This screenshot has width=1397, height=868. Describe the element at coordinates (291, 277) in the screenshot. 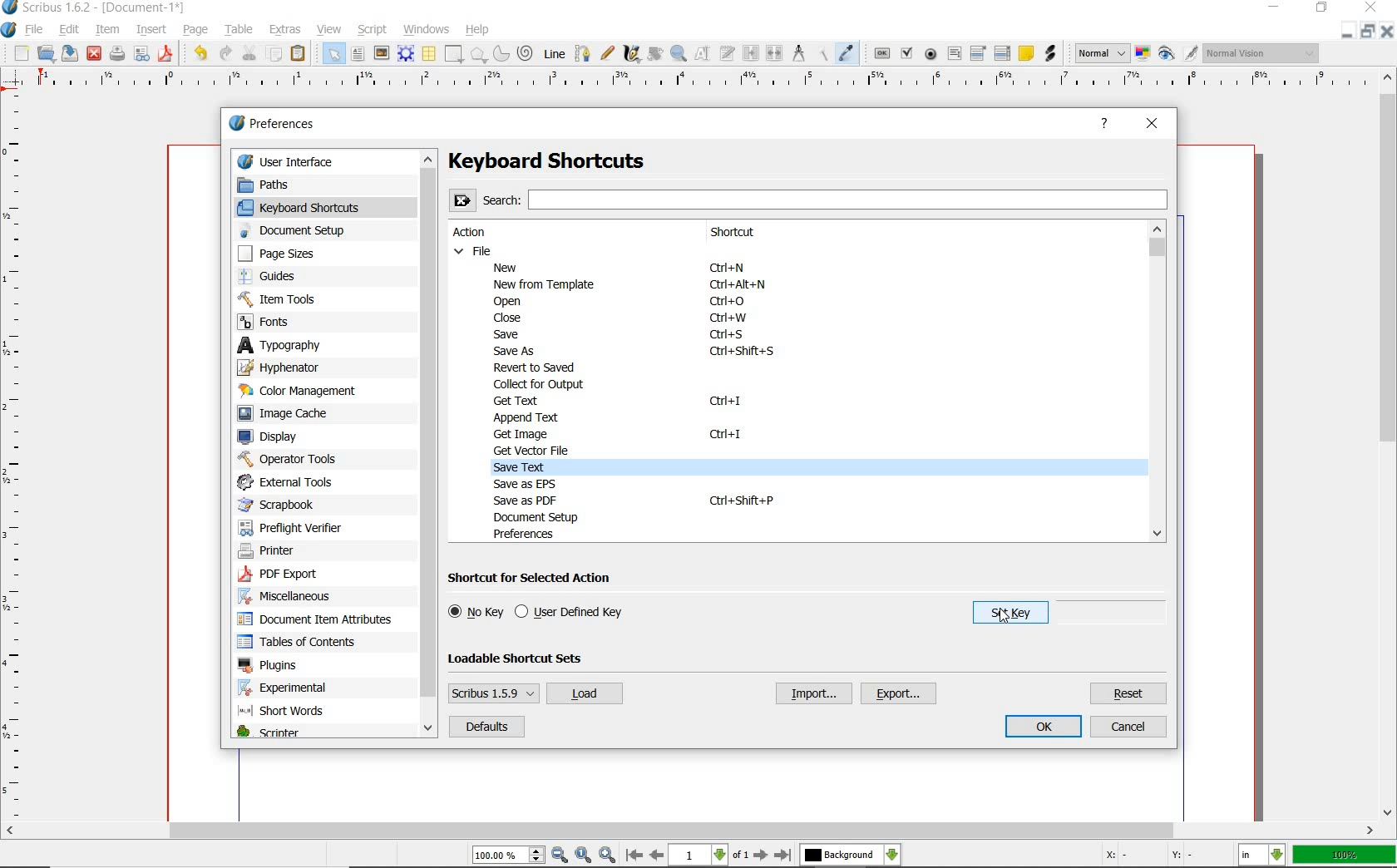

I see `guides` at that location.